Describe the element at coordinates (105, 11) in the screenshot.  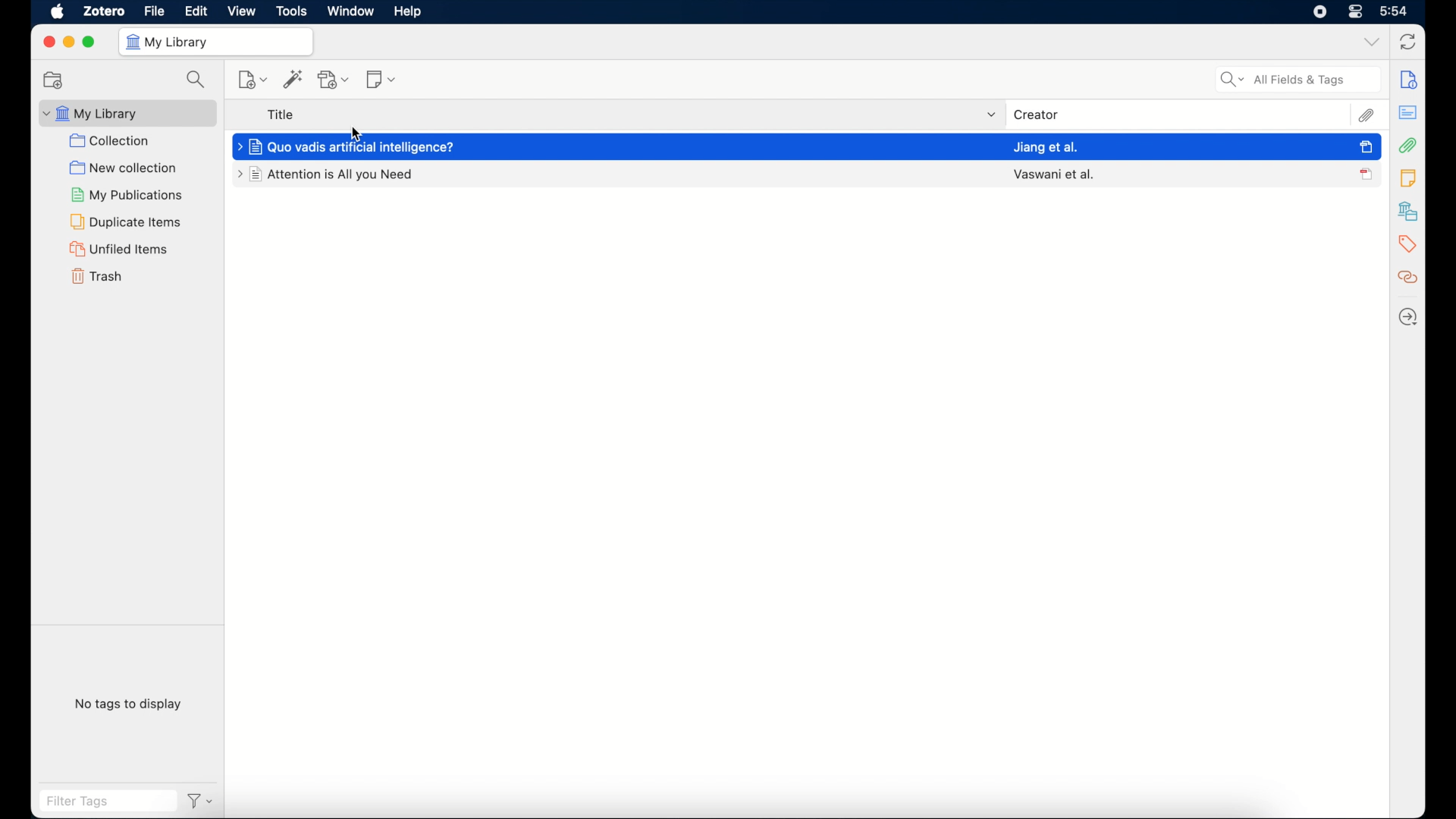
I see `zotero` at that location.